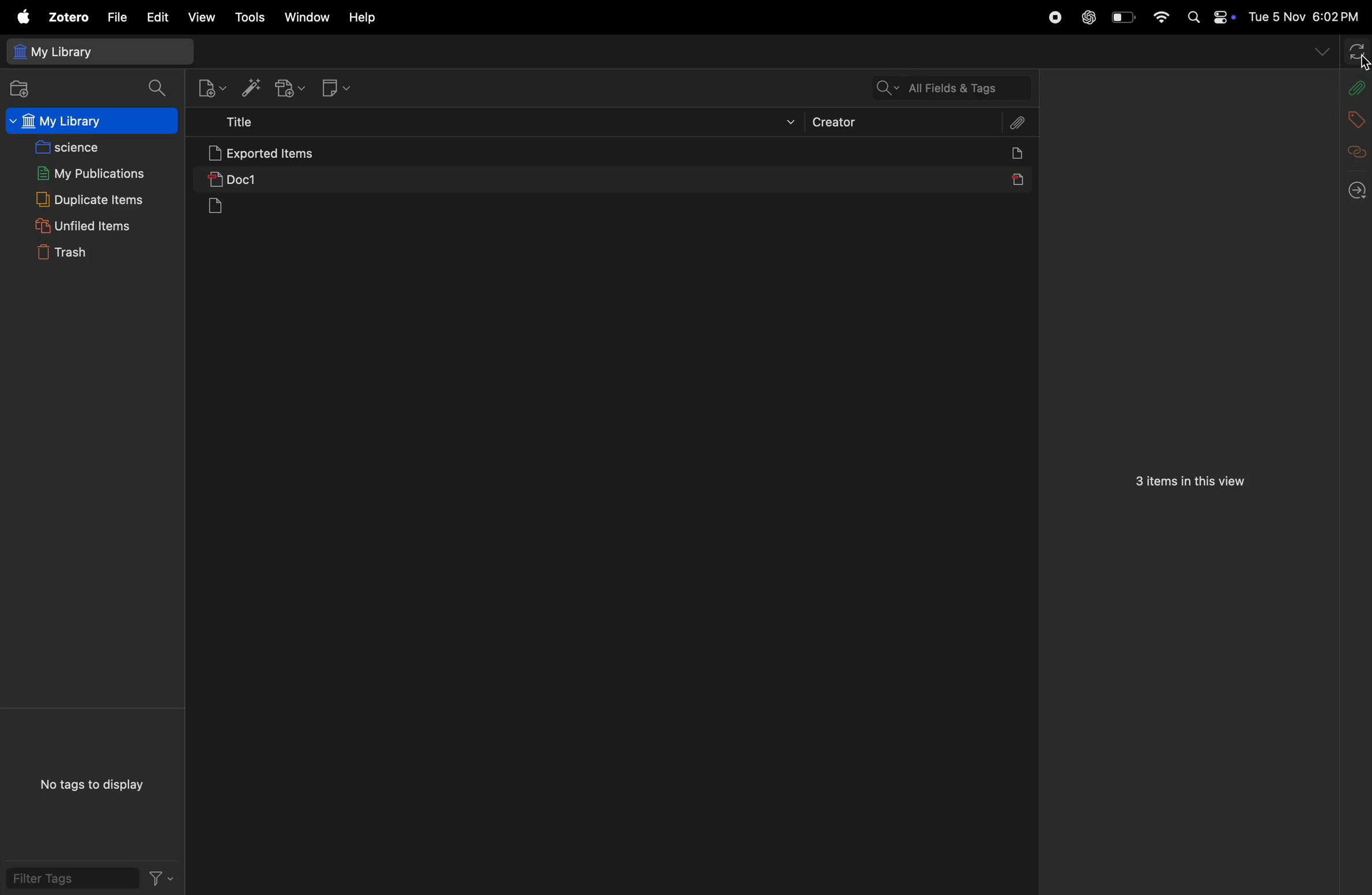 Image resolution: width=1372 pixels, height=895 pixels. What do you see at coordinates (330, 179) in the screenshot?
I see `doc 1` at bounding box center [330, 179].